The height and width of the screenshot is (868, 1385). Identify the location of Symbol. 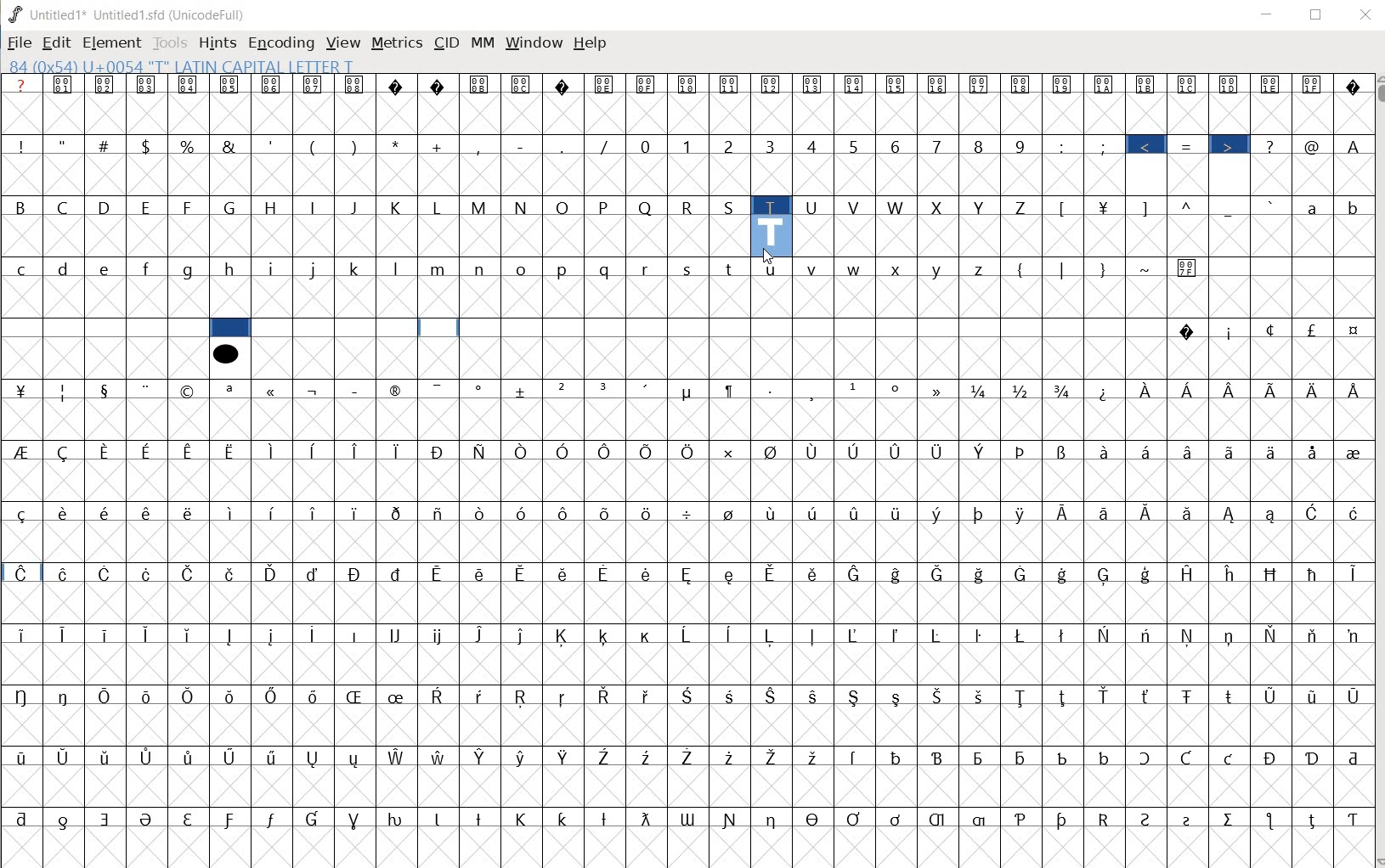
(1350, 635).